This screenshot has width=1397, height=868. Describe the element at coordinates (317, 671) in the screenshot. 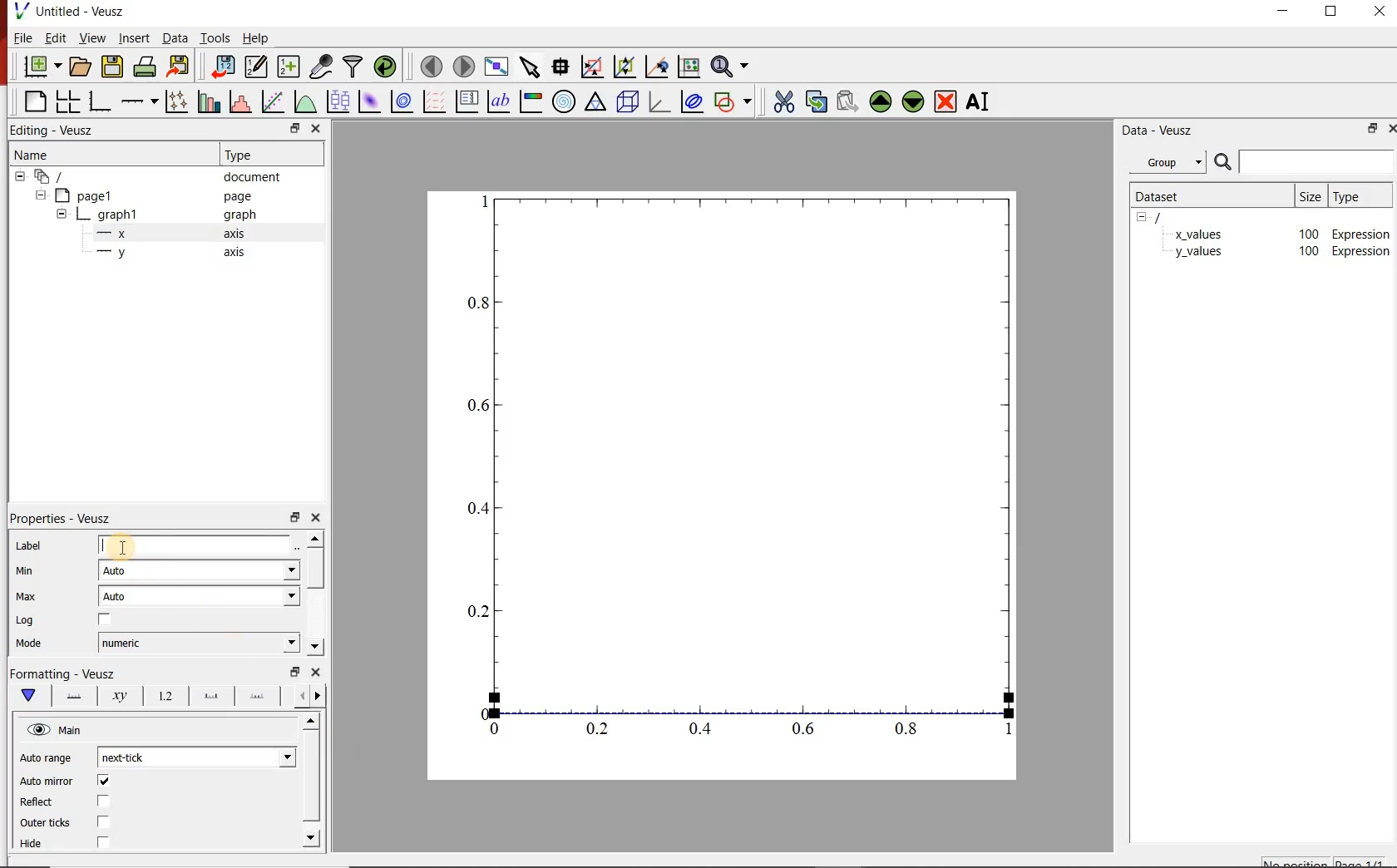

I see `close` at that location.